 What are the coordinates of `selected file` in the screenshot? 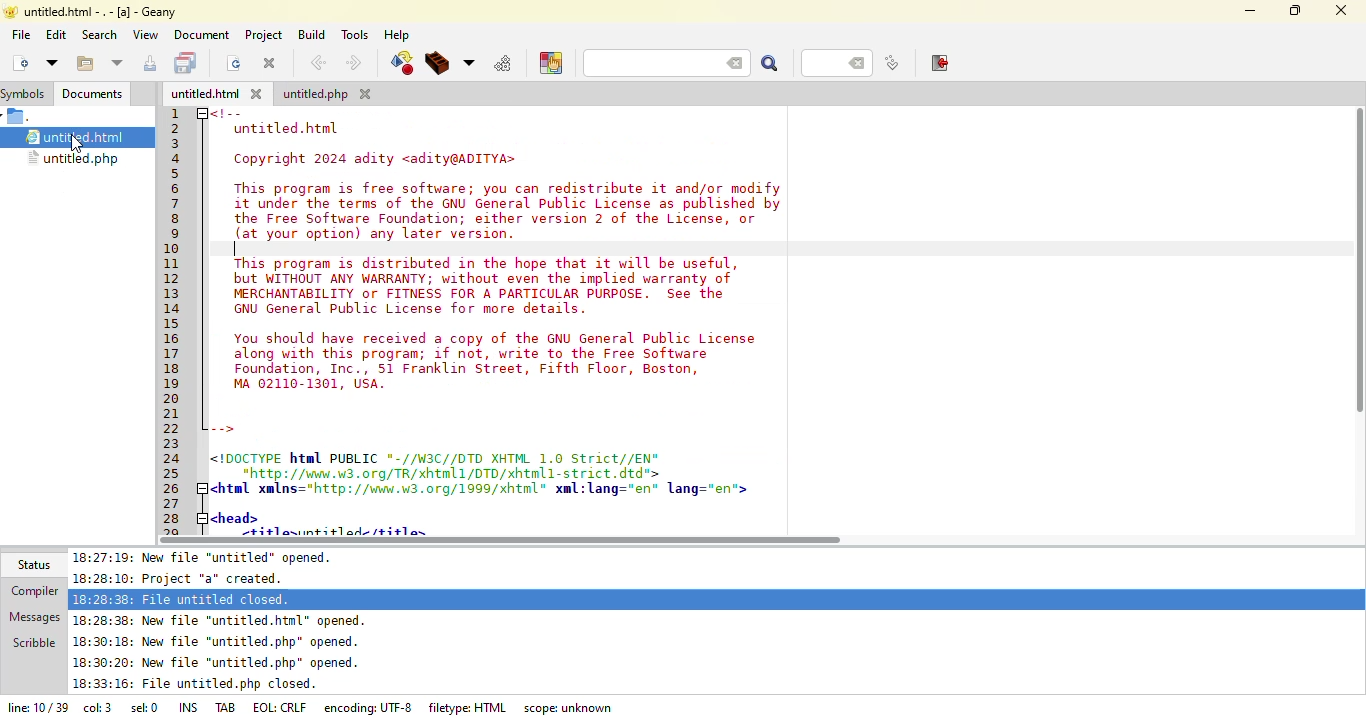 It's located at (81, 136).